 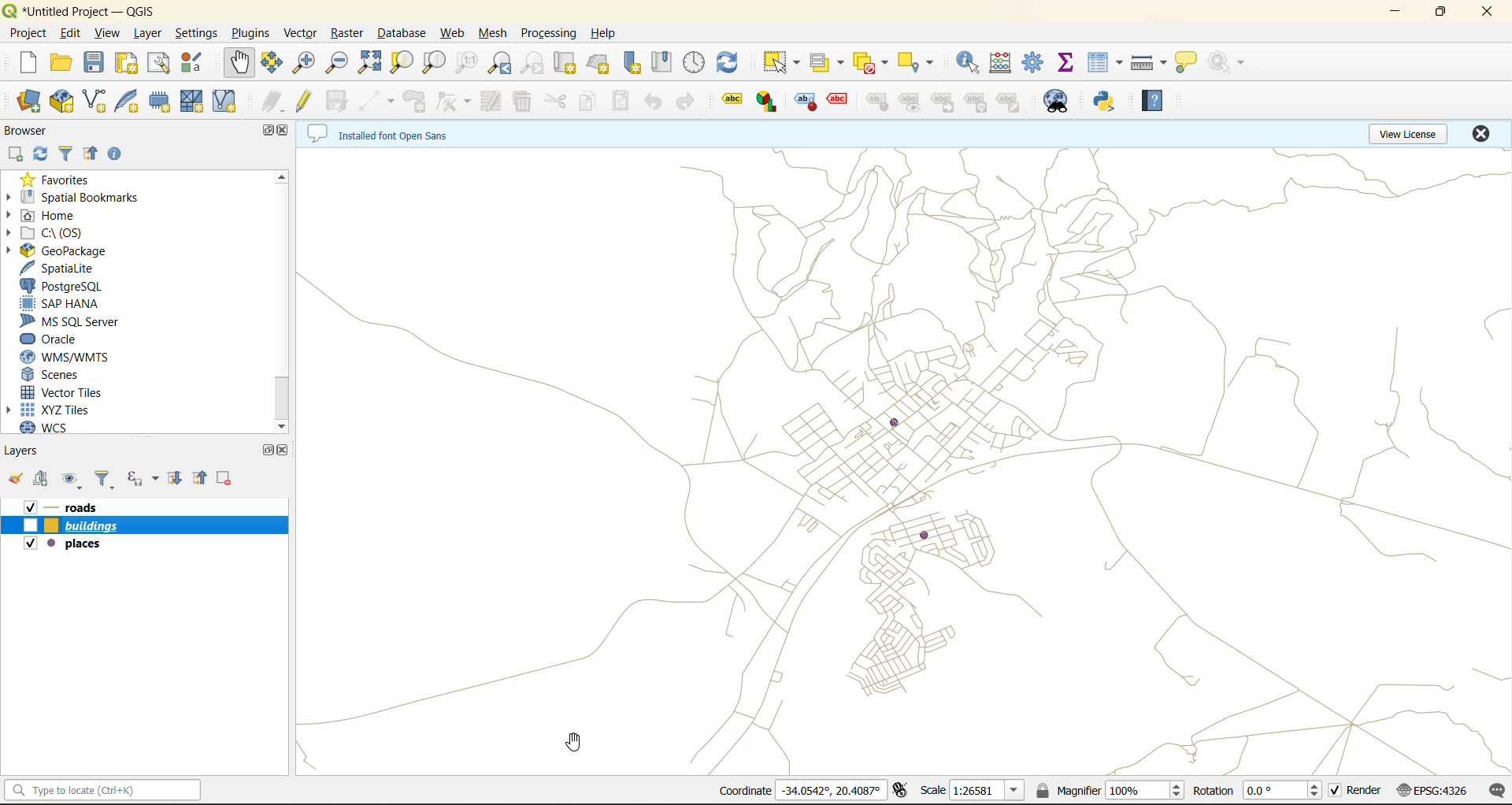 I want to click on add polygon, so click(x=420, y=102).